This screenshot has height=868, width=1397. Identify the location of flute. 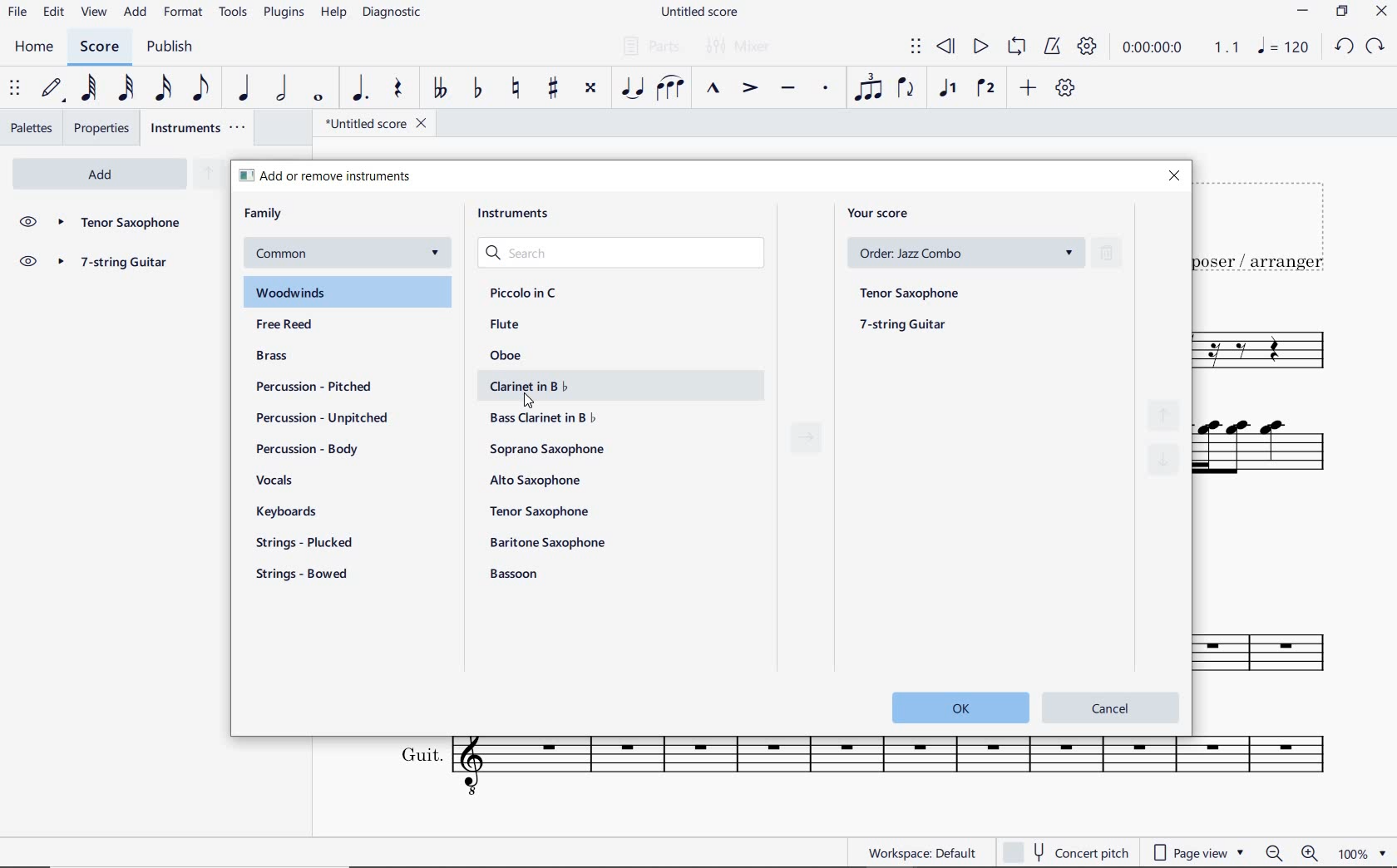
(505, 323).